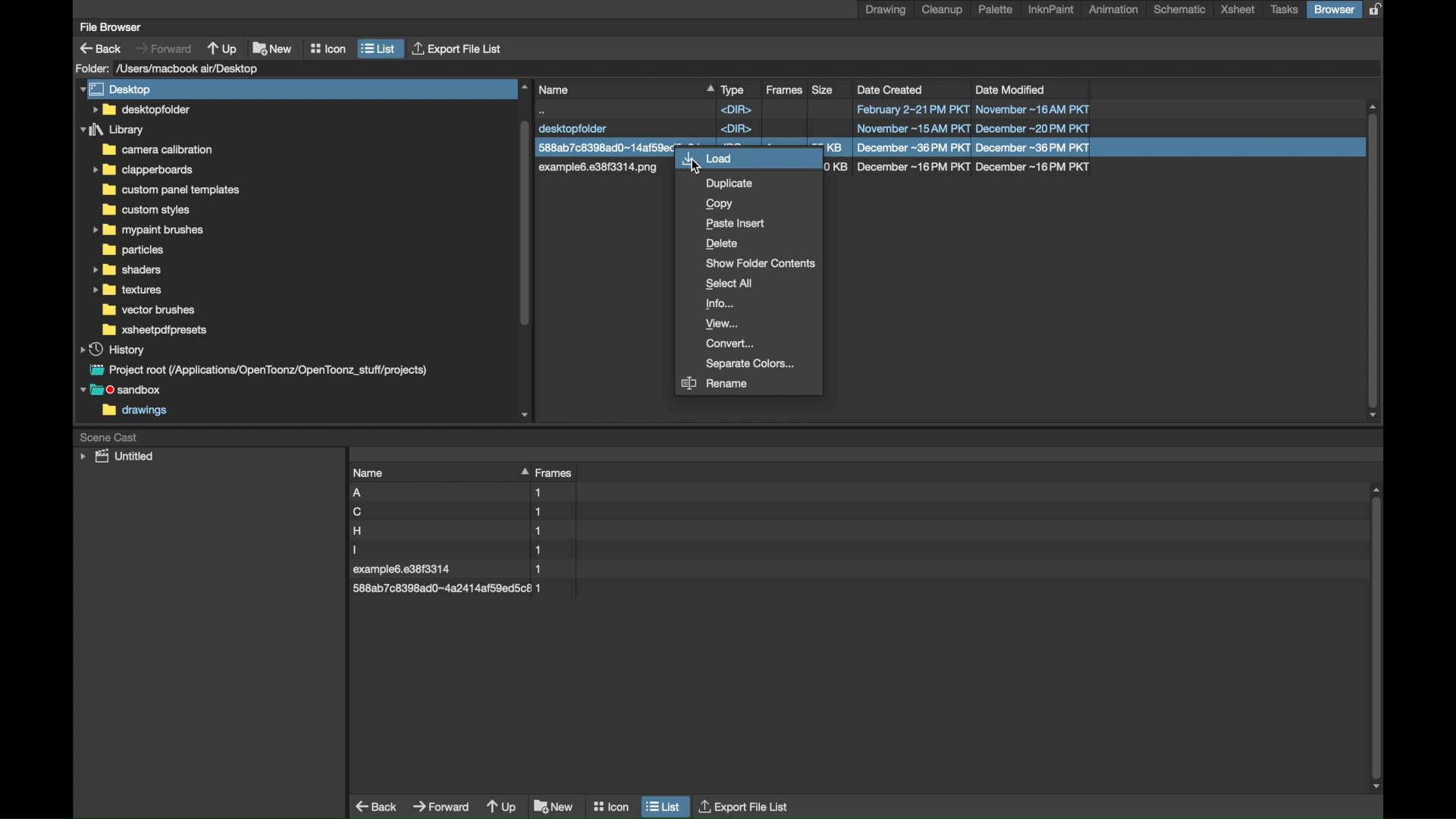 The image size is (1456, 819). What do you see at coordinates (610, 803) in the screenshot?
I see `icon` at bounding box center [610, 803].